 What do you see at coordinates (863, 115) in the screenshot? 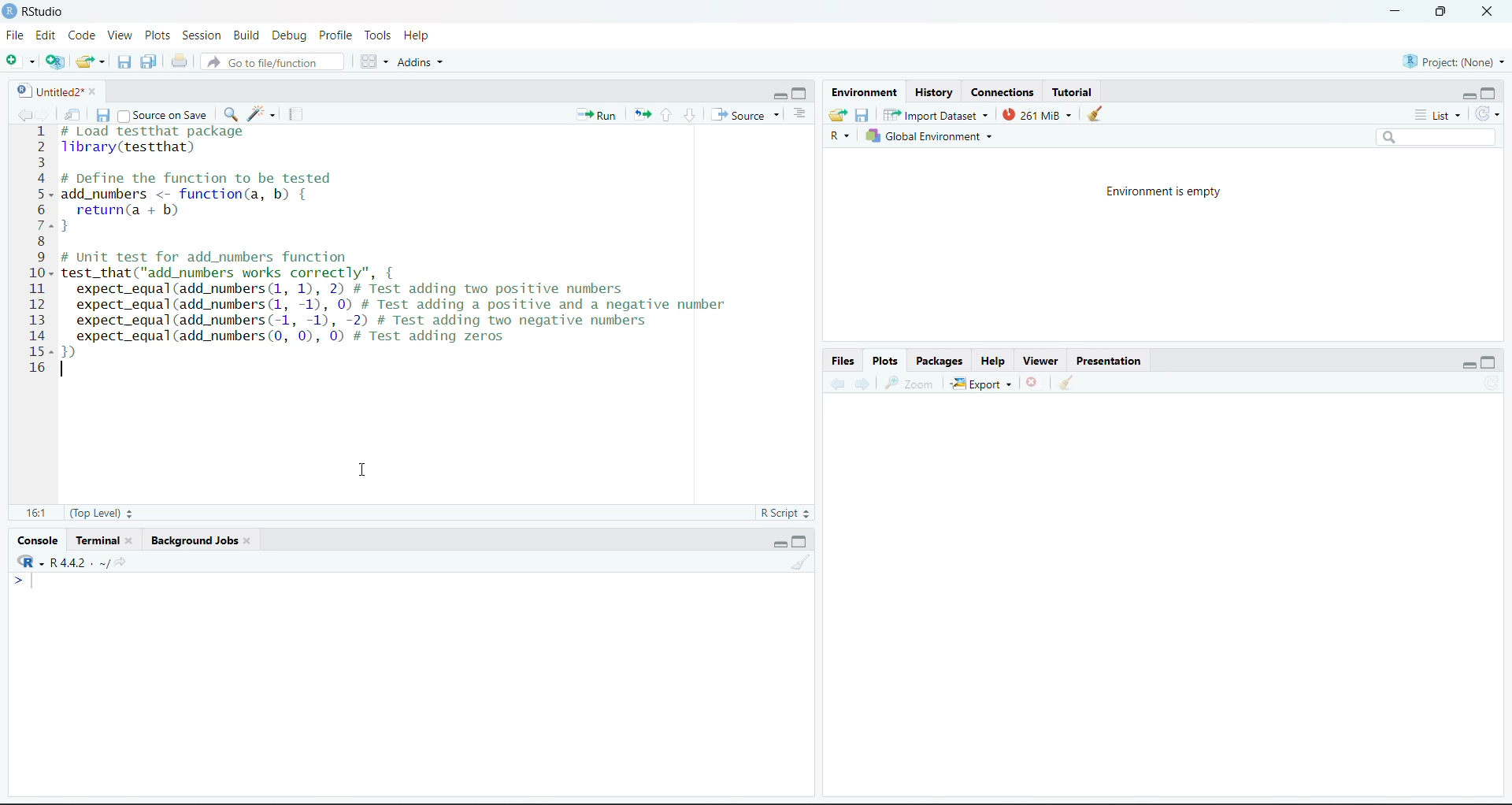
I see `Save` at bounding box center [863, 115].